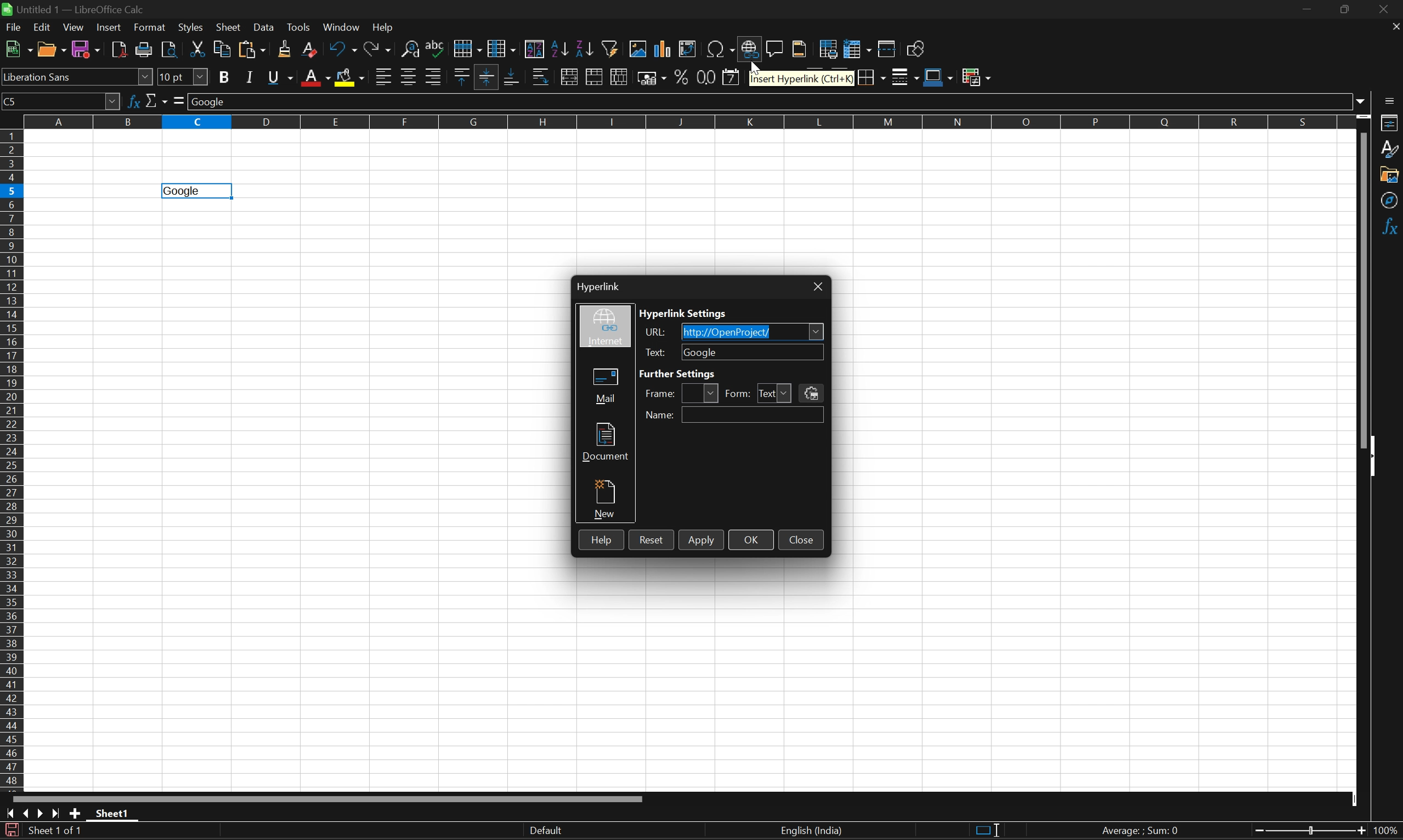 This screenshot has width=1403, height=840. I want to click on Function wizard, so click(136, 101).